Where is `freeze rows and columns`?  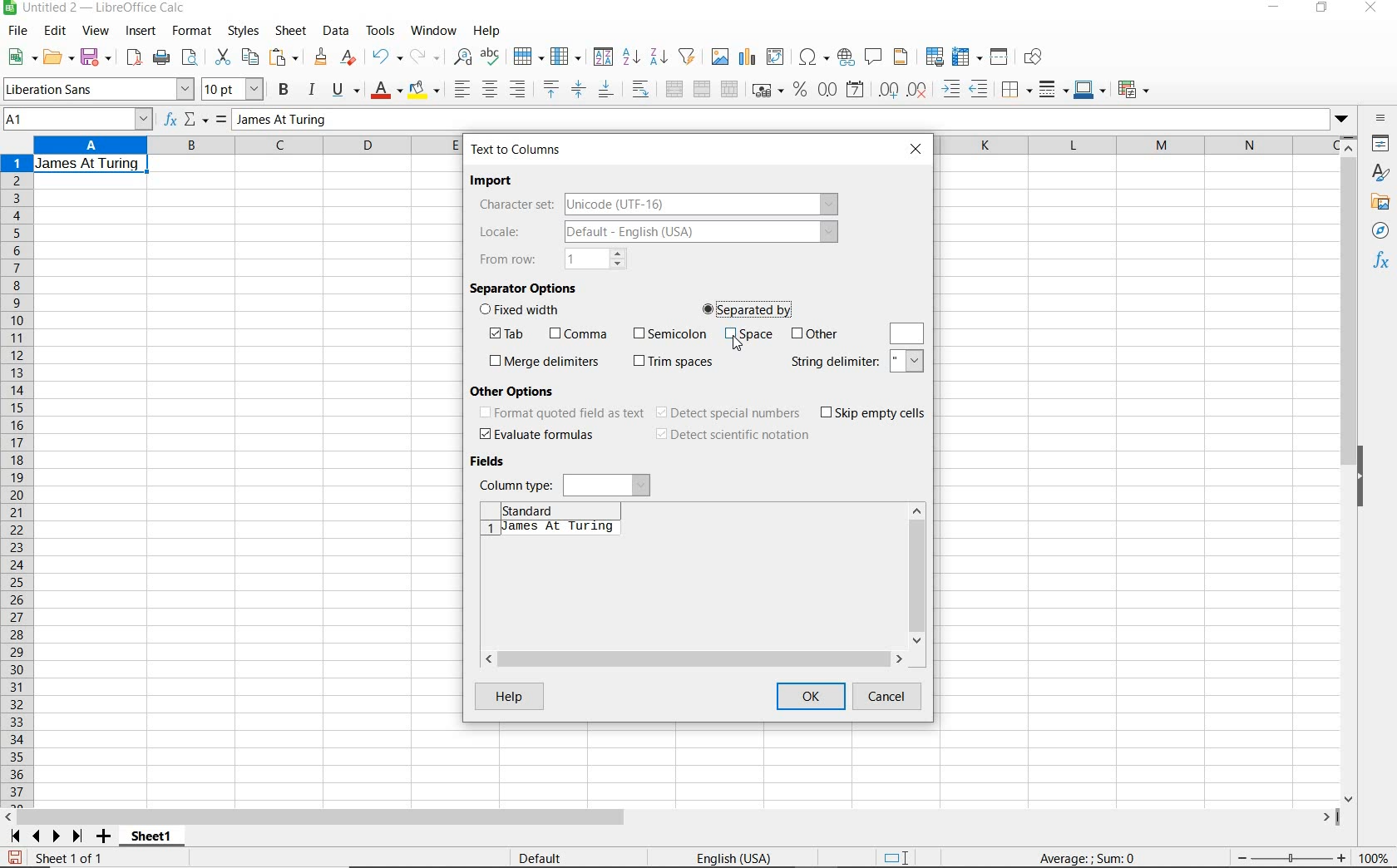 freeze rows and columns is located at coordinates (967, 57).